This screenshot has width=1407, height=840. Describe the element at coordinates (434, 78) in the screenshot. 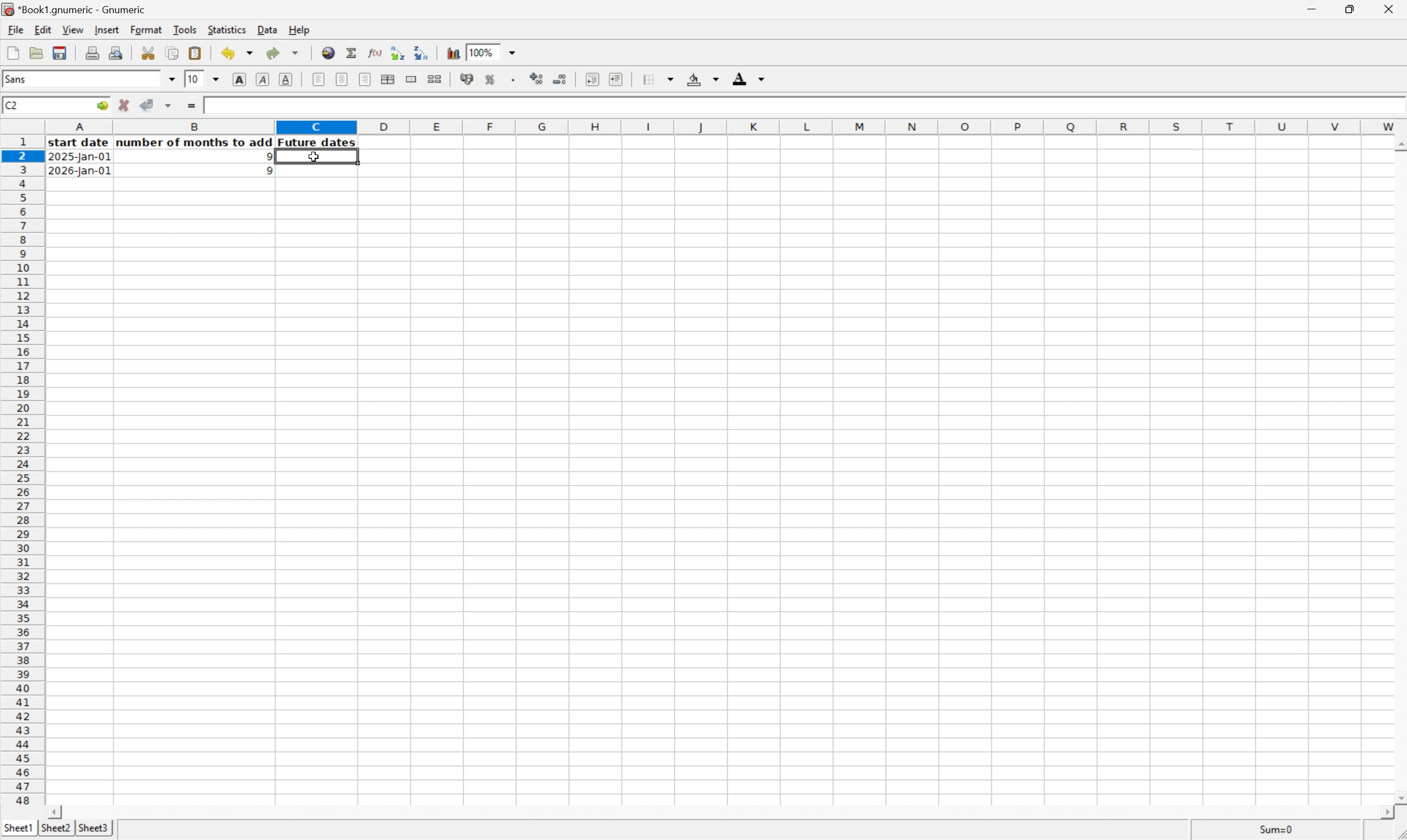

I see `Split the ranges of merged cells` at that location.